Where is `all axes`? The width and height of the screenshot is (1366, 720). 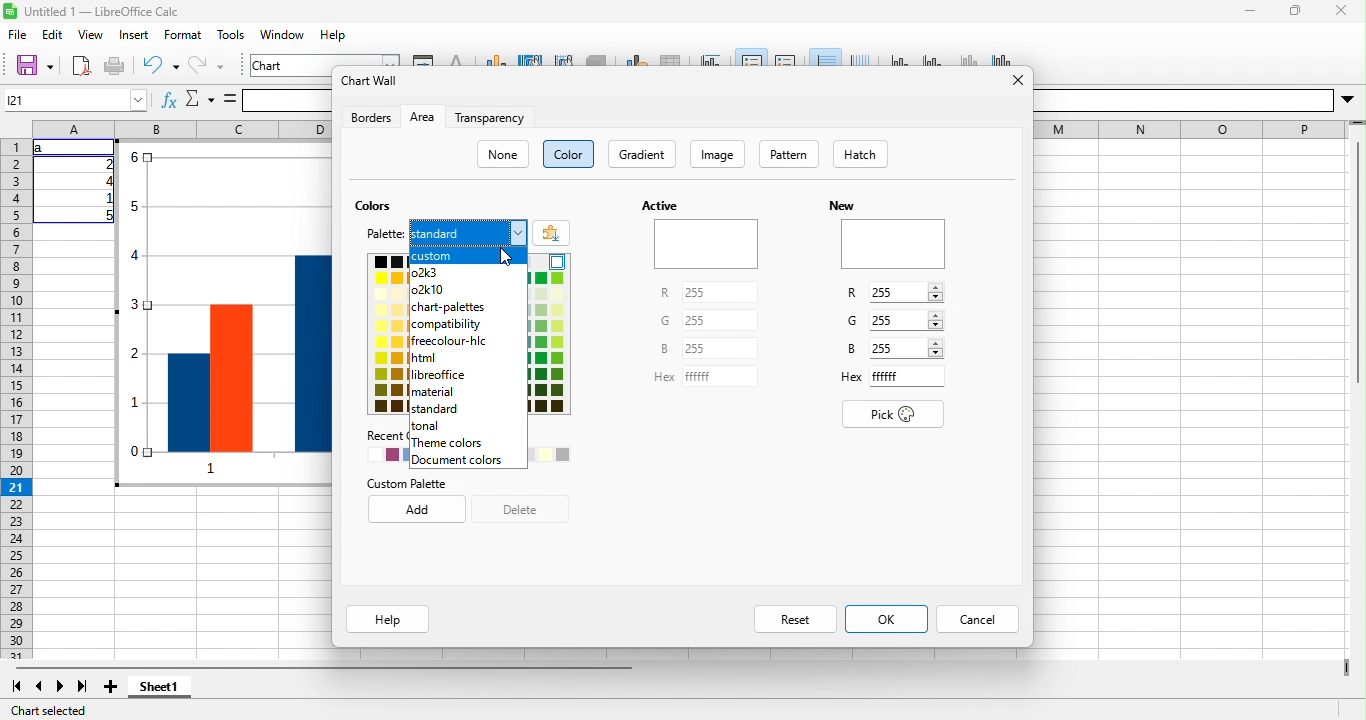
all axes is located at coordinates (999, 58).